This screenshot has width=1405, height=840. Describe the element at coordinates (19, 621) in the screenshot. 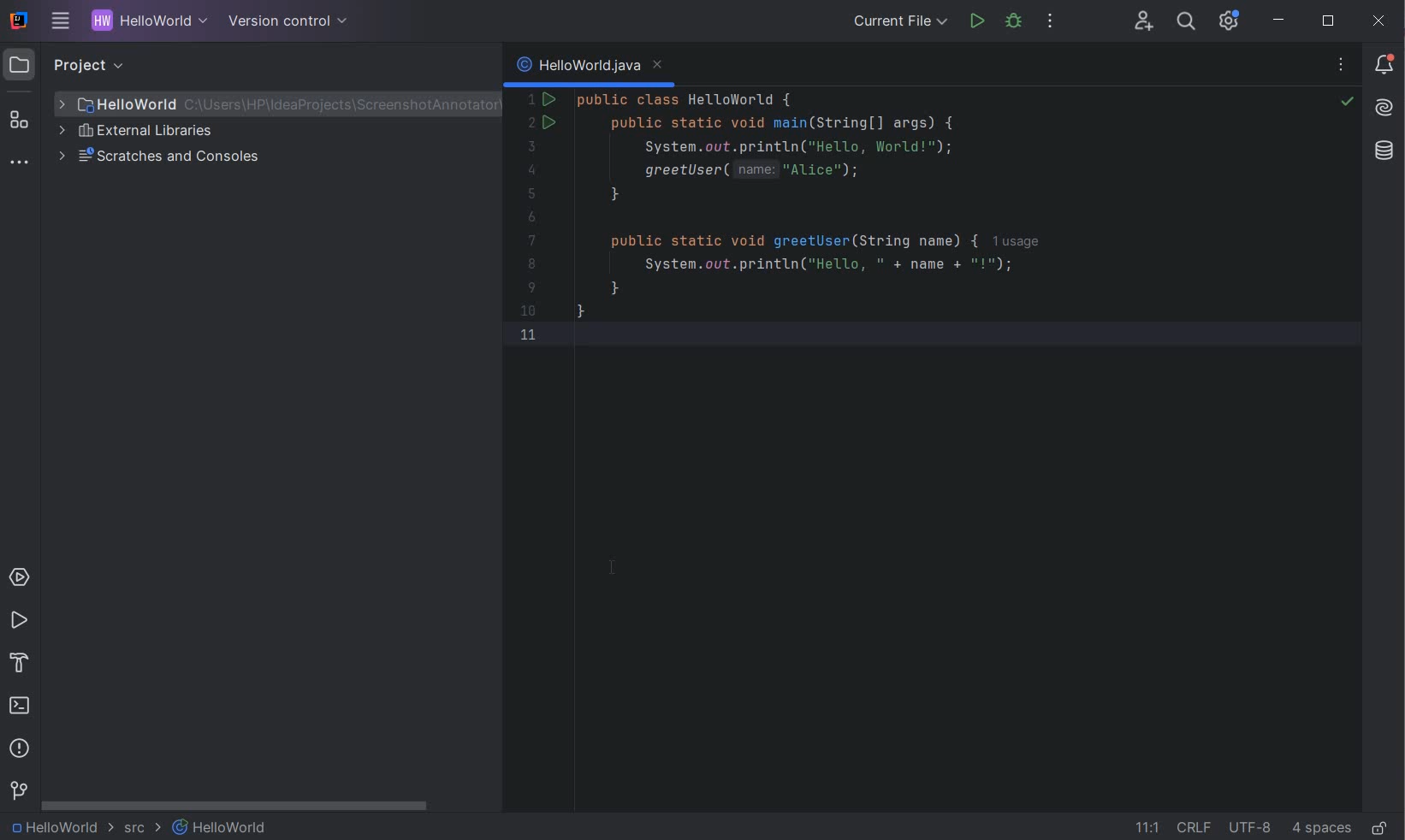

I see `RUN` at that location.